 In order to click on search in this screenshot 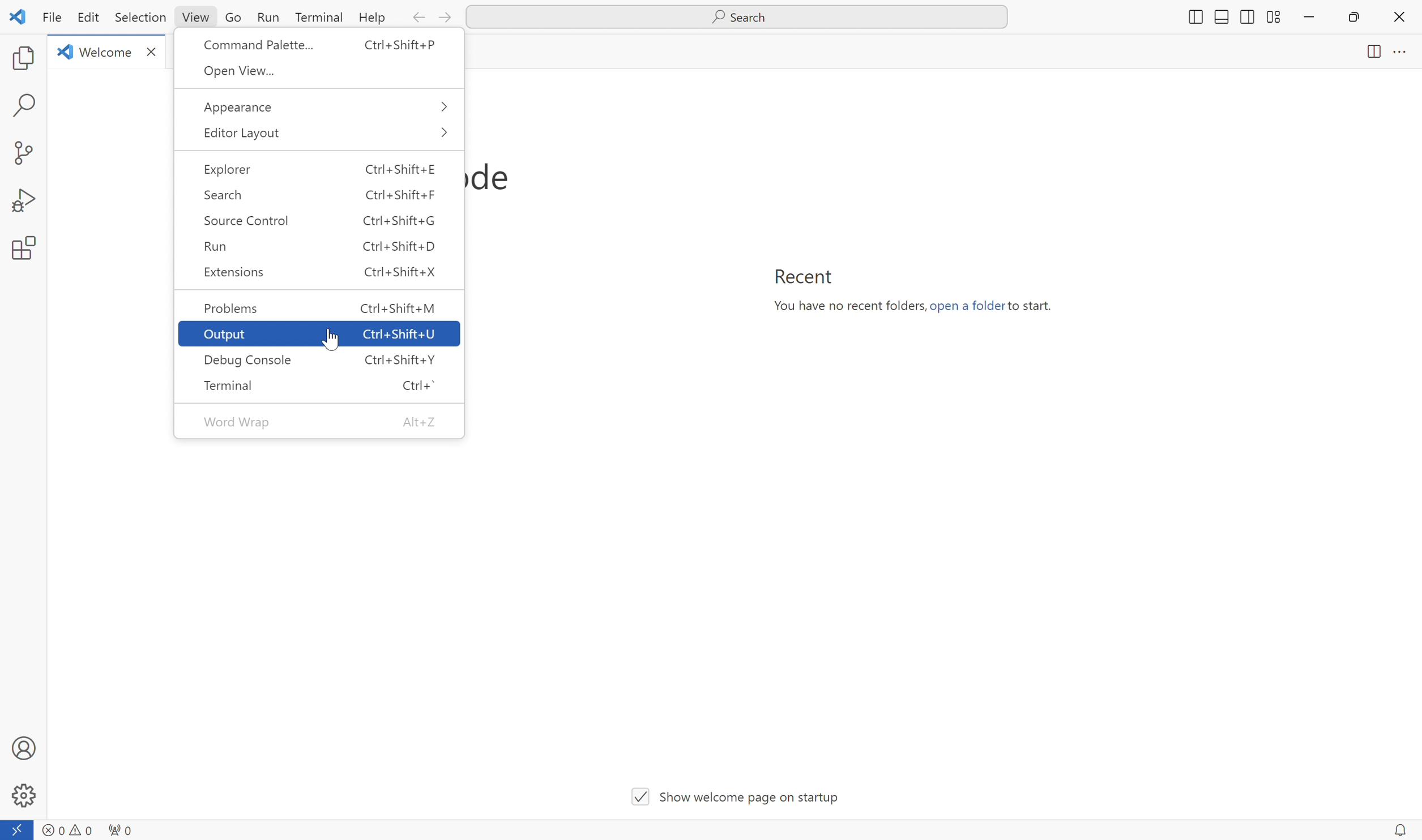, I will do `click(24, 106)`.